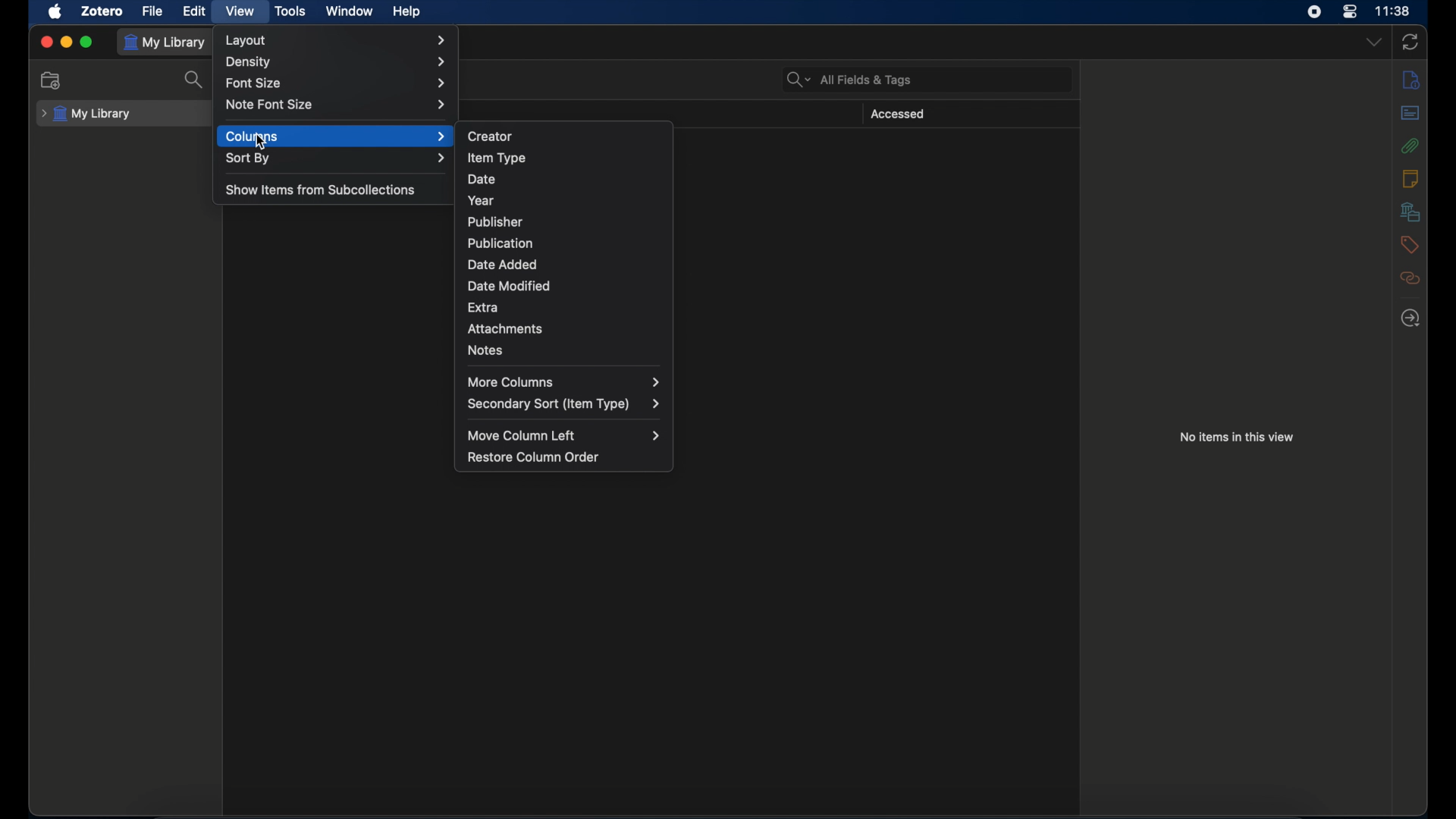  I want to click on locate, so click(1410, 318).